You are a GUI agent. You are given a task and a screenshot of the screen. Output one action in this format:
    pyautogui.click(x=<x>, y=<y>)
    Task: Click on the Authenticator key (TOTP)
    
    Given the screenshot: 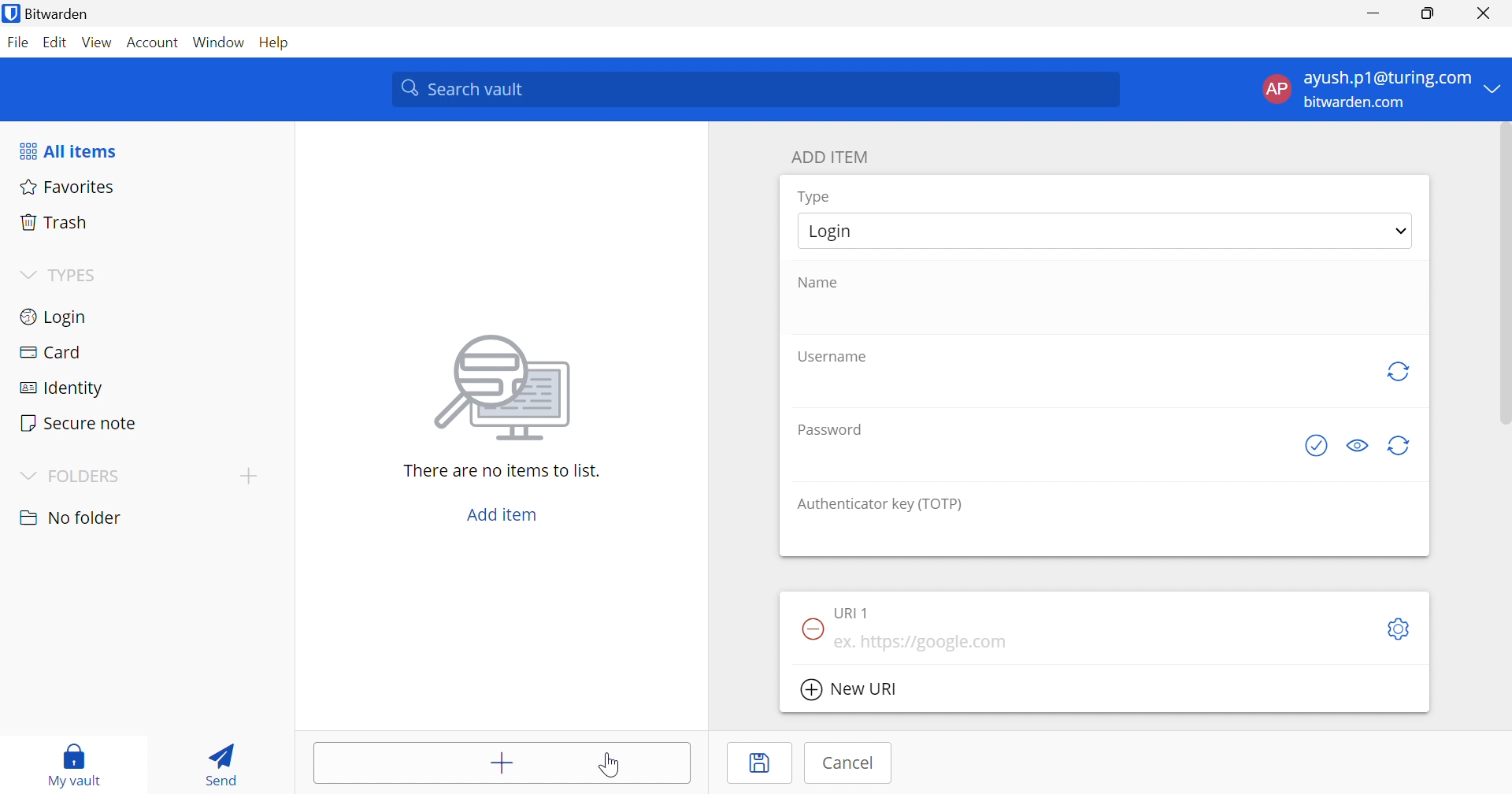 What is the action you would take?
    pyautogui.click(x=884, y=504)
    